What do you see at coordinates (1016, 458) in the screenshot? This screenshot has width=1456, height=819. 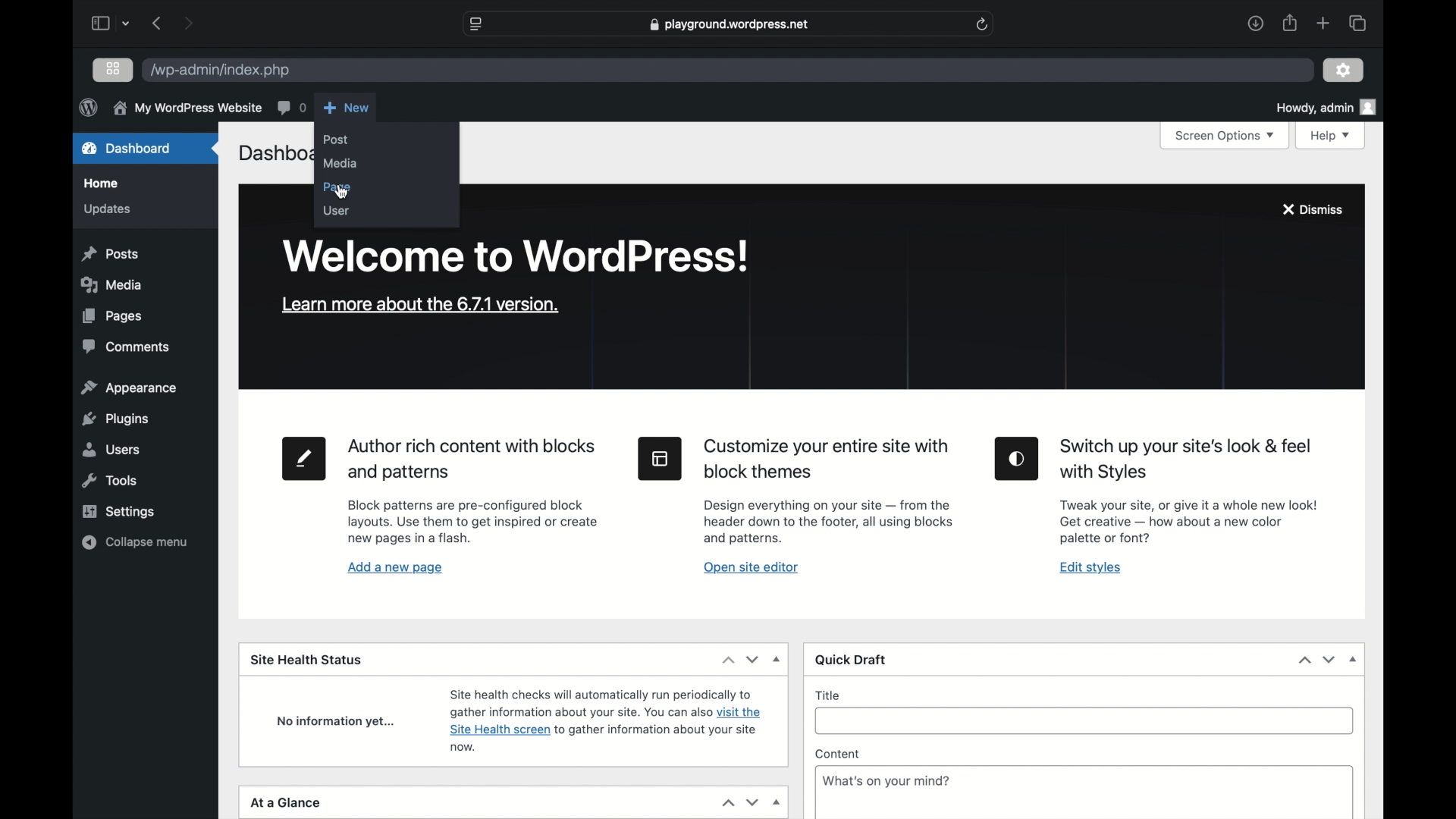 I see `edit styles` at bounding box center [1016, 458].